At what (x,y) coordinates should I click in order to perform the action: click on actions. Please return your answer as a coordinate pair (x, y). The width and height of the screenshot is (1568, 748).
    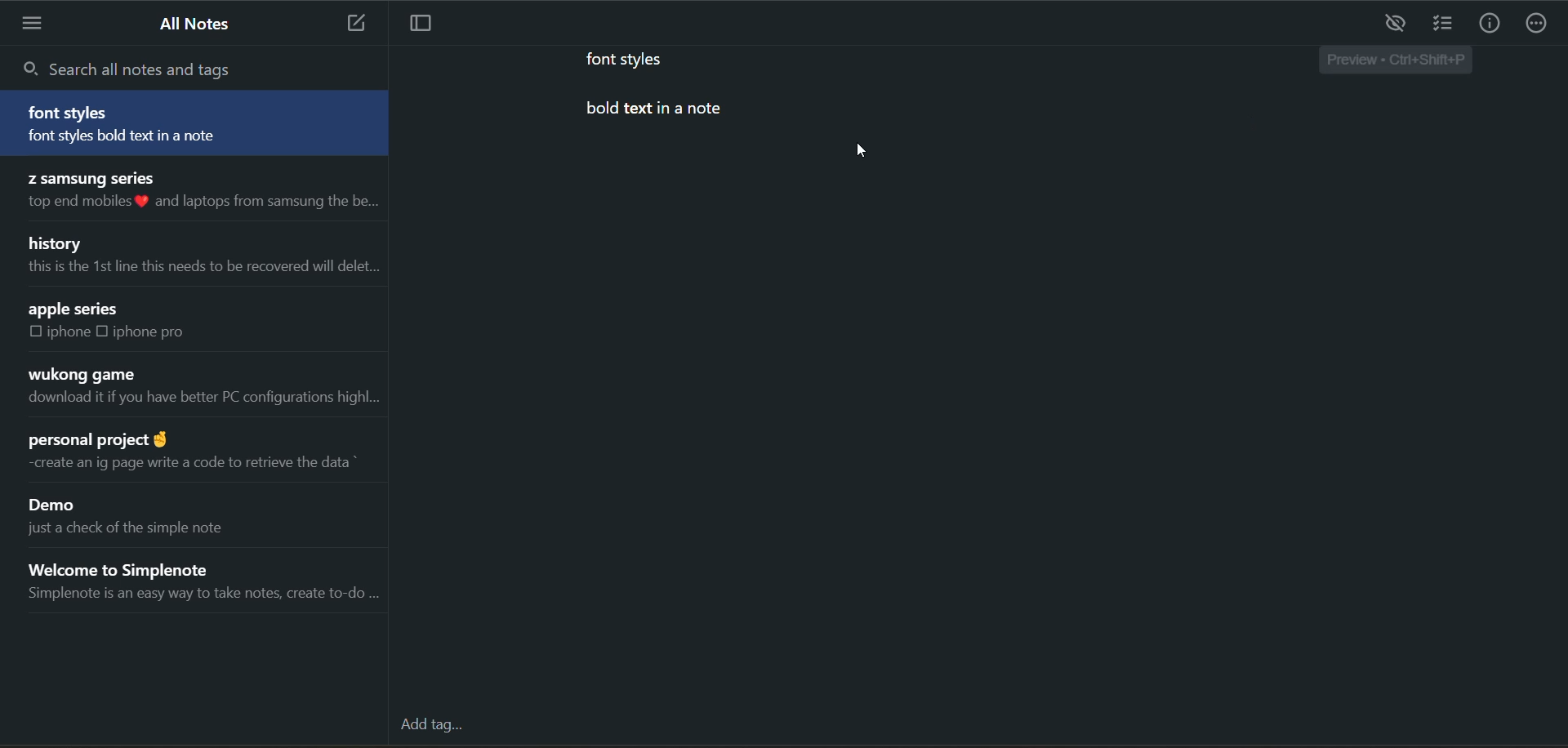
    Looking at the image, I should click on (1537, 26).